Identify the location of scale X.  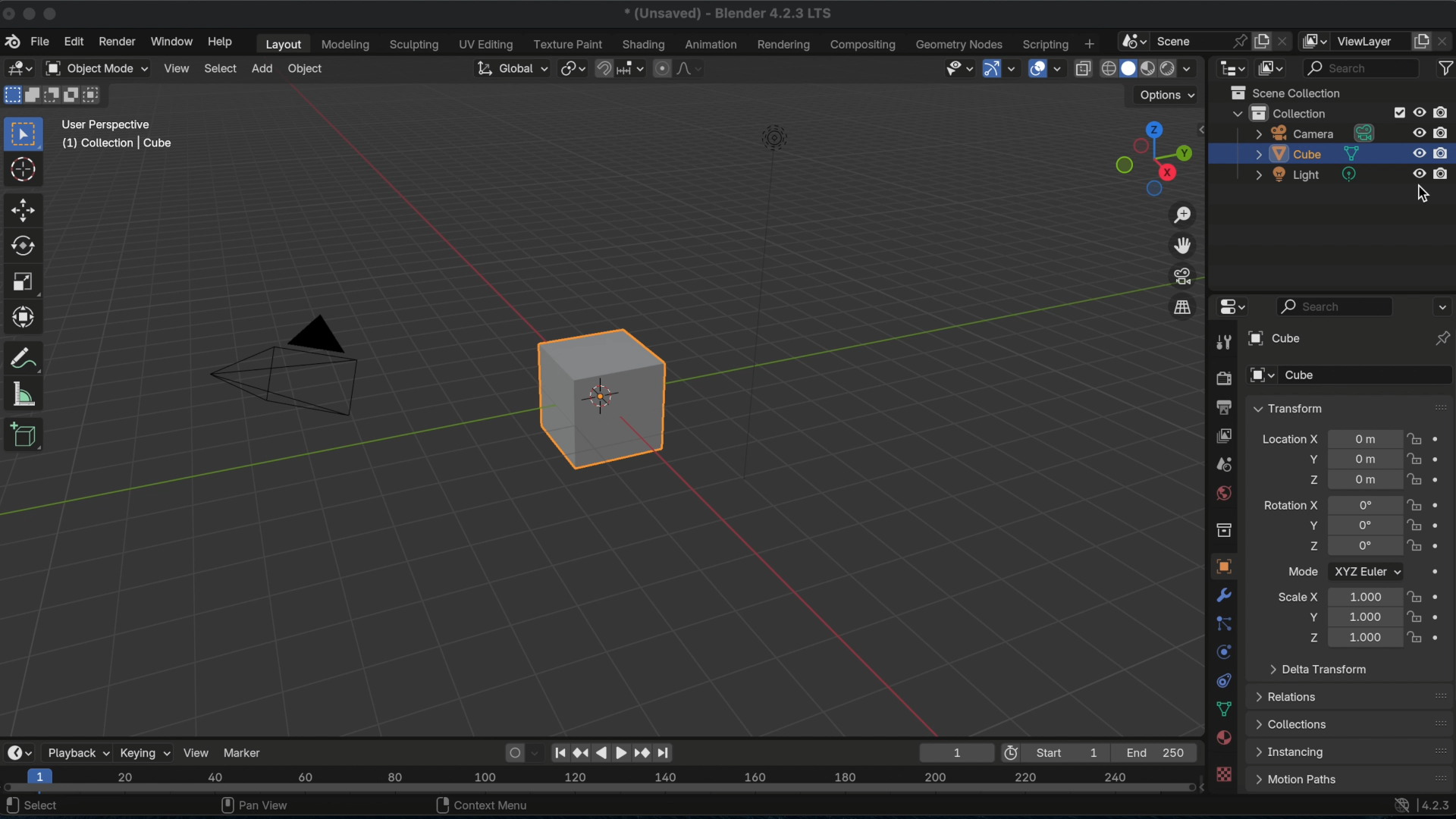
(1297, 596).